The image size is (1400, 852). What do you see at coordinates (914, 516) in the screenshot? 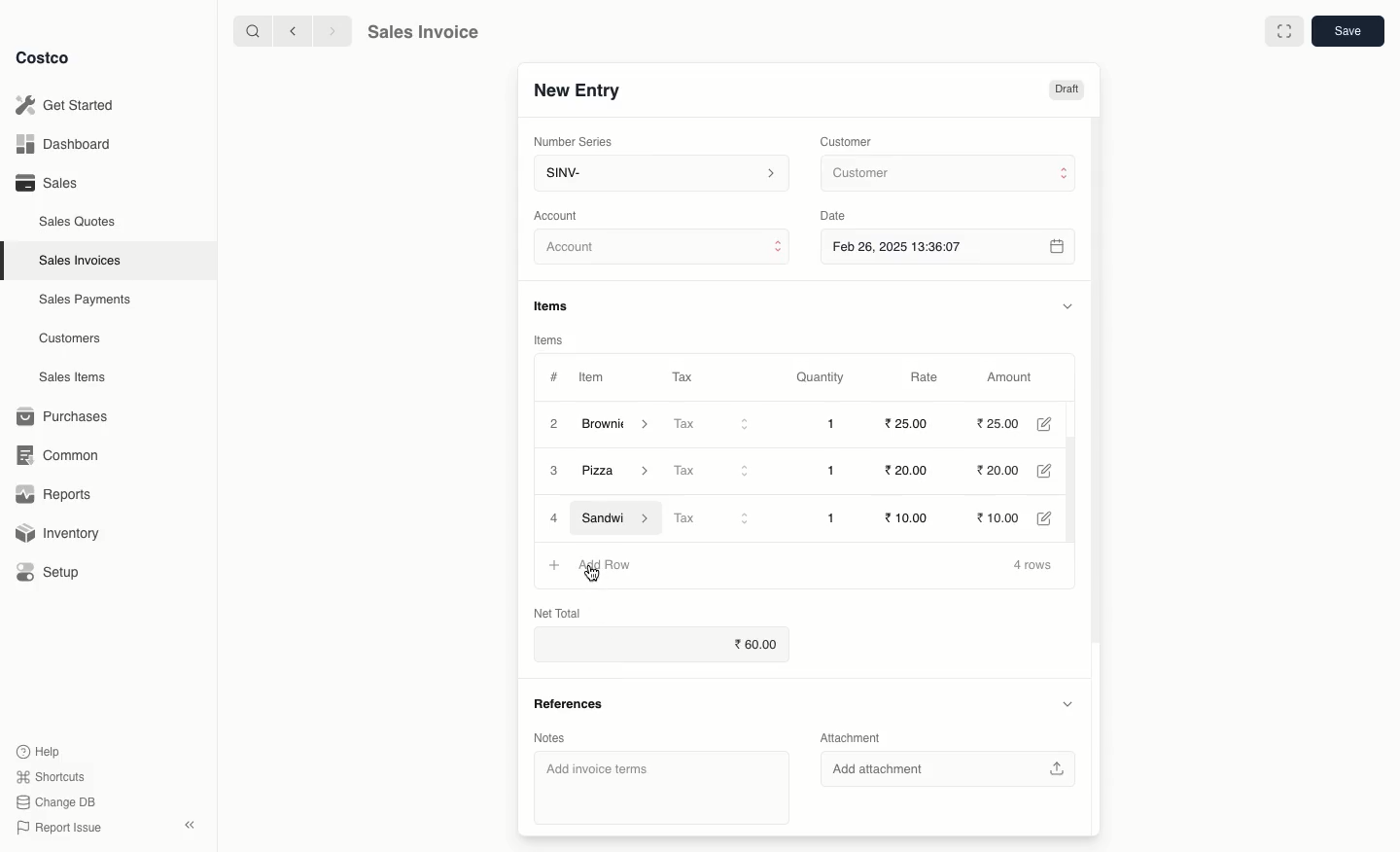
I see `10.00` at bounding box center [914, 516].